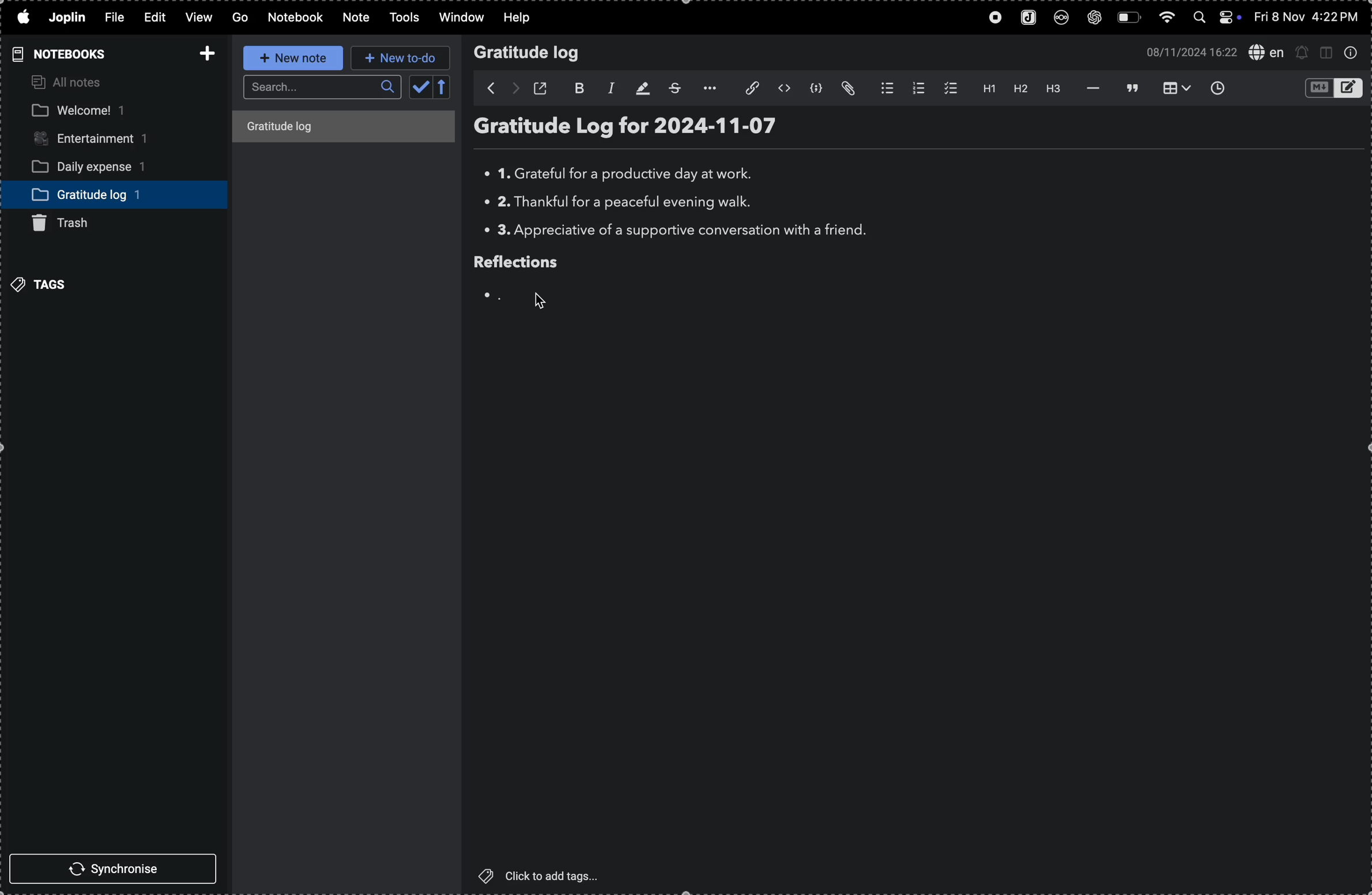 Image resolution: width=1372 pixels, height=895 pixels. What do you see at coordinates (65, 82) in the screenshot?
I see `all notes` at bounding box center [65, 82].